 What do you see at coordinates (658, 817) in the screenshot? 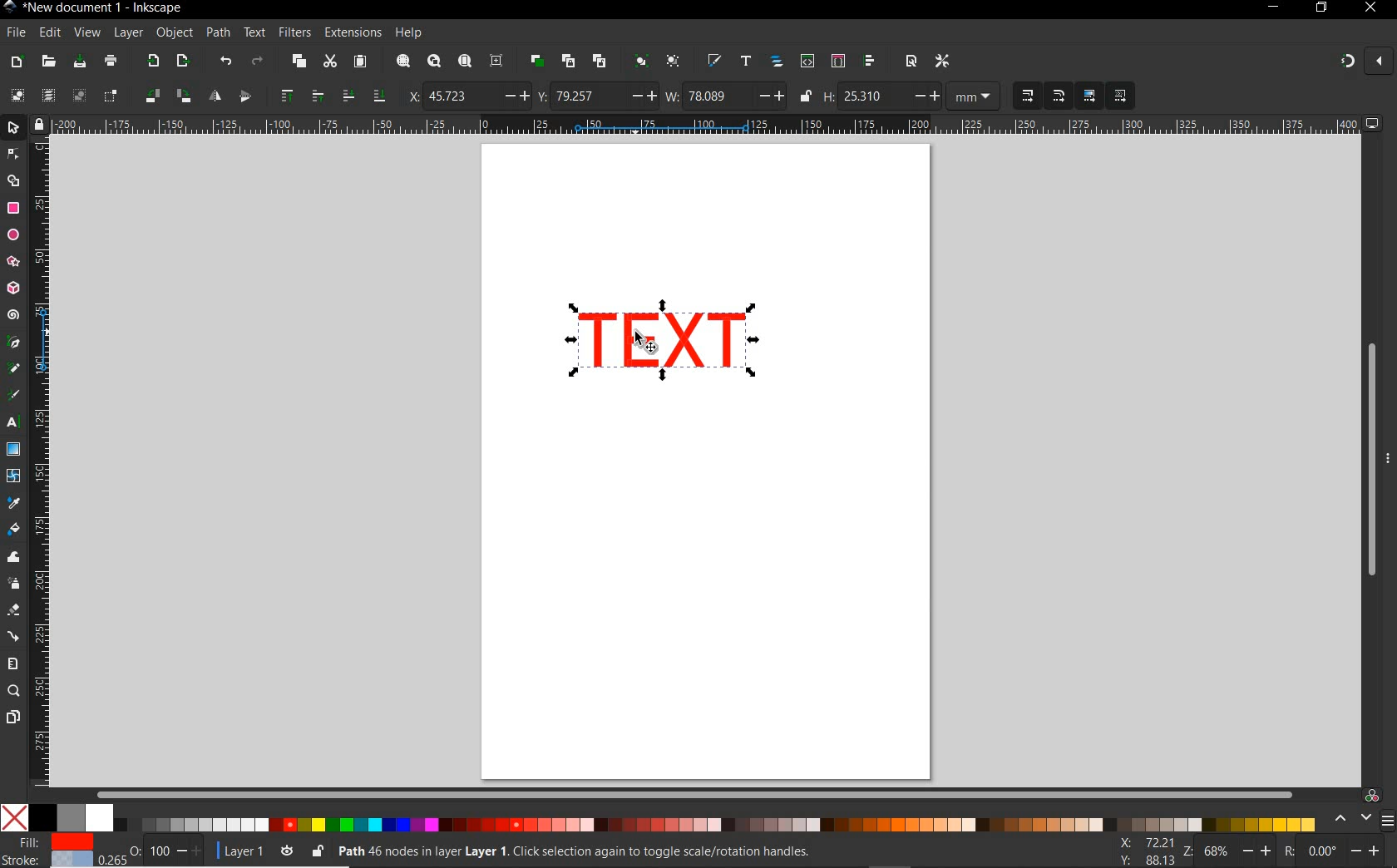
I see `COLOR MODE` at bounding box center [658, 817].